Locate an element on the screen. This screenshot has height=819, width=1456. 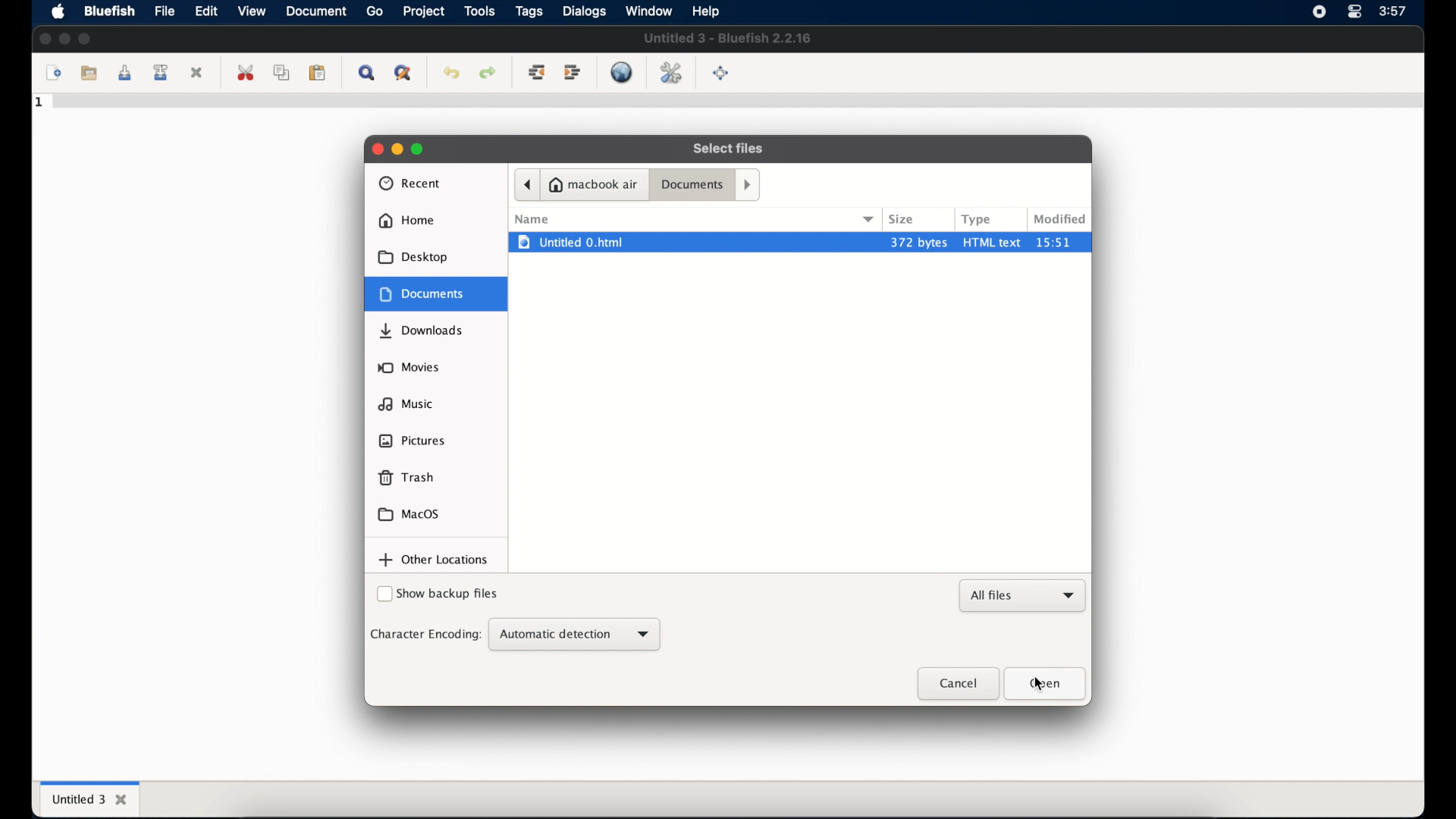
dropdown menu is located at coordinates (870, 218).